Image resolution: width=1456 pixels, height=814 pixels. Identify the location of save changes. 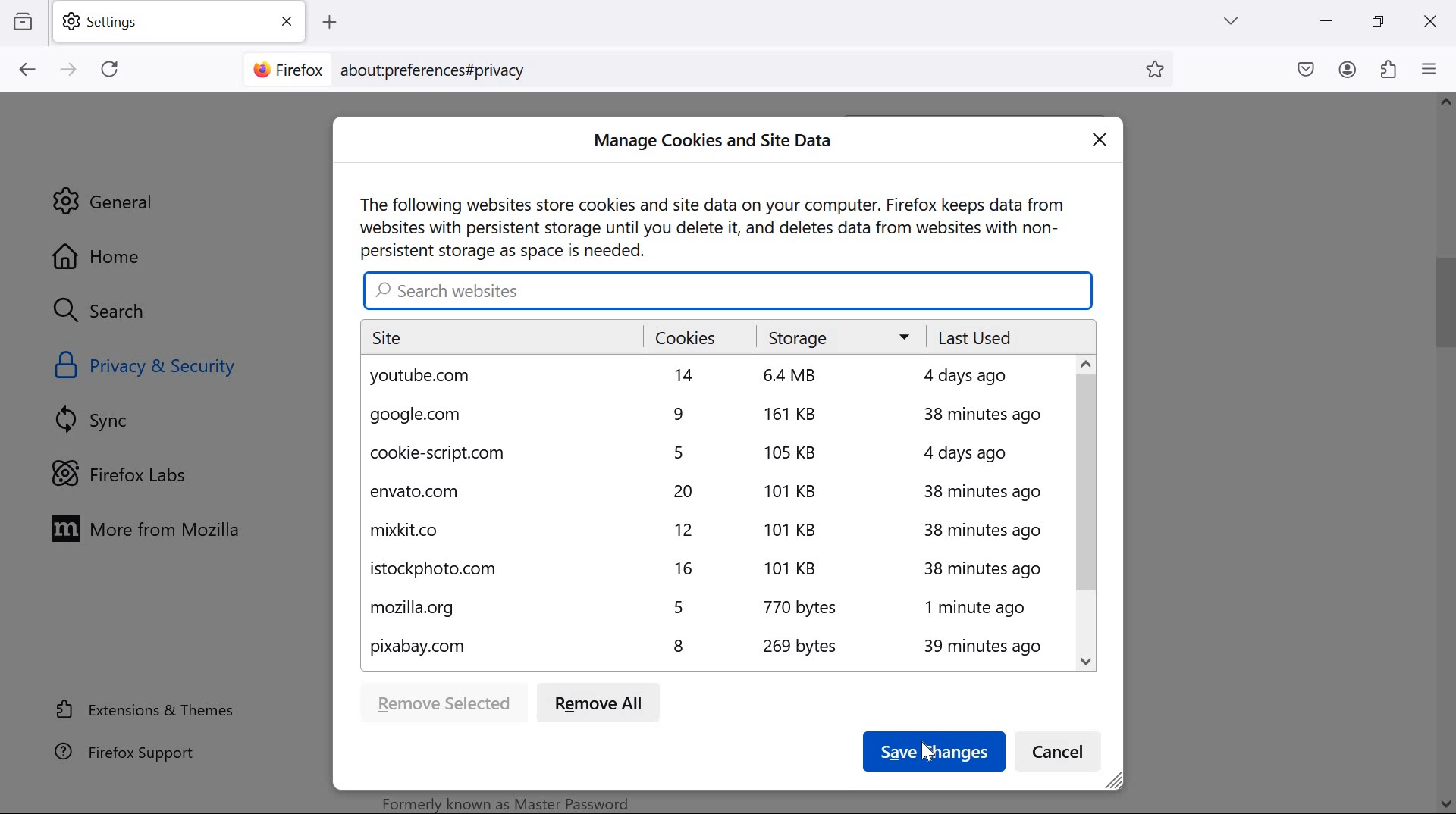
(933, 752).